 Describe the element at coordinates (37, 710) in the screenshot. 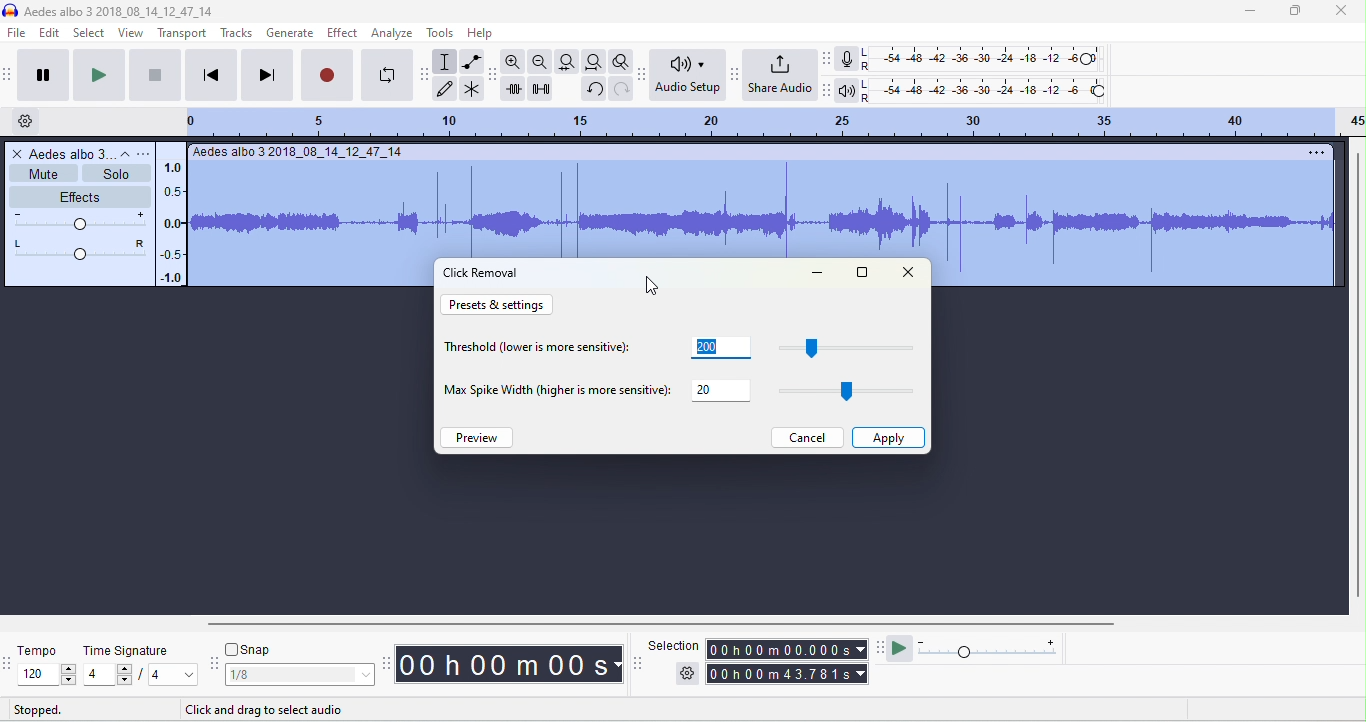

I see `stopped` at that location.